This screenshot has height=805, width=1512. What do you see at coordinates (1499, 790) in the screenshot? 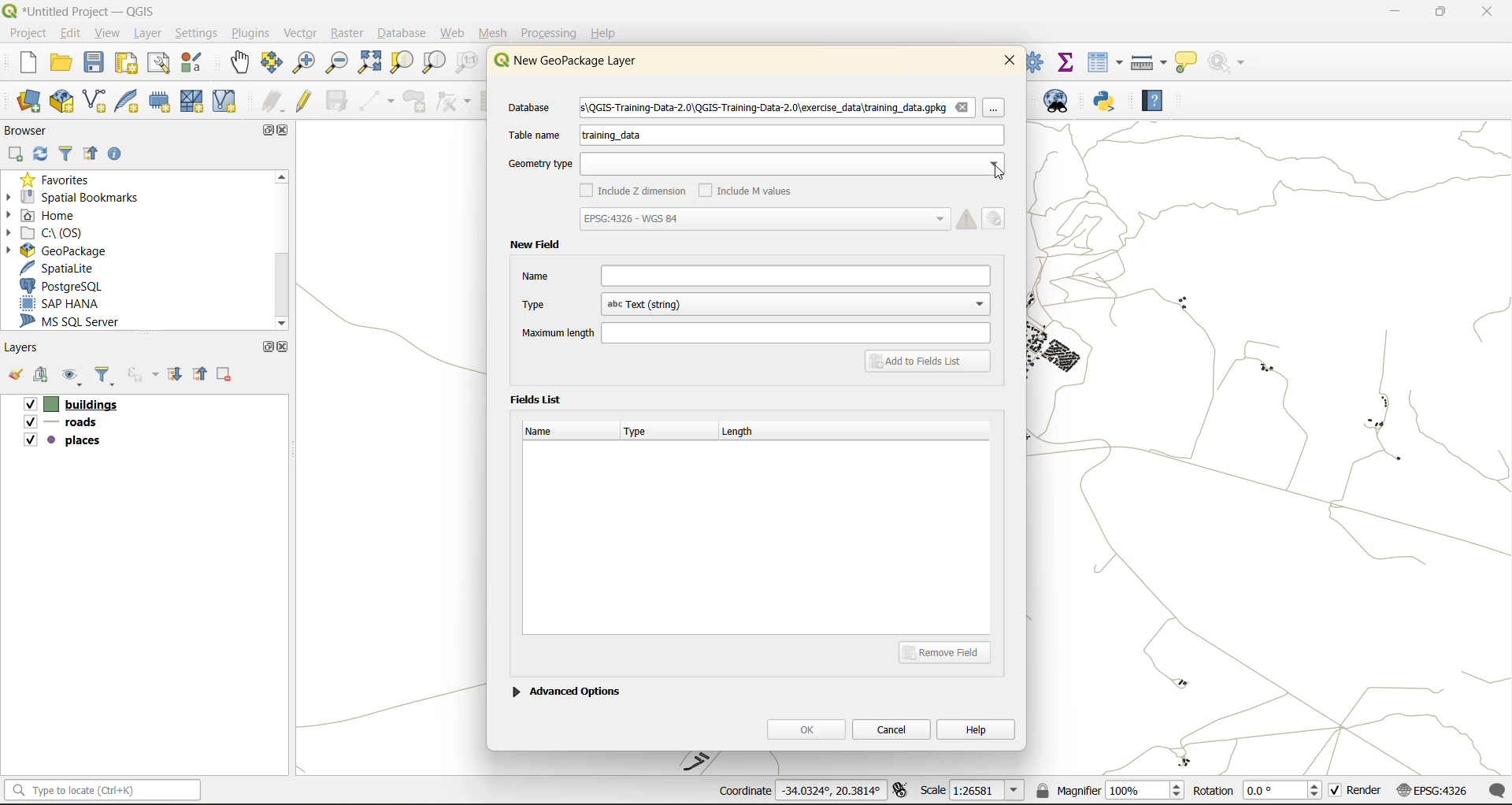
I see `log messages` at bounding box center [1499, 790].